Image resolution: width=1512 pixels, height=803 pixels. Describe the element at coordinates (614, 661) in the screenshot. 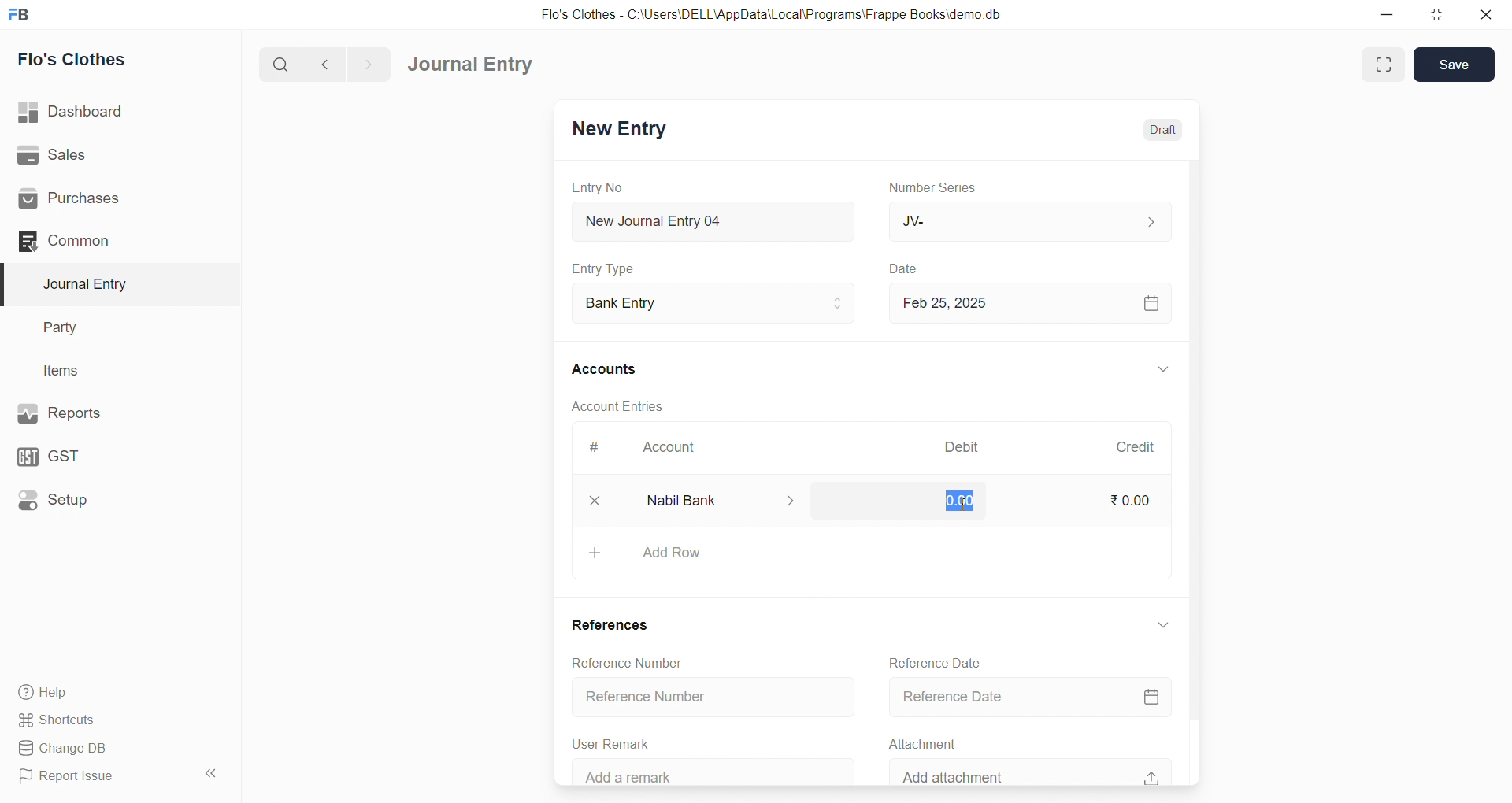

I see `Reference Number` at that location.